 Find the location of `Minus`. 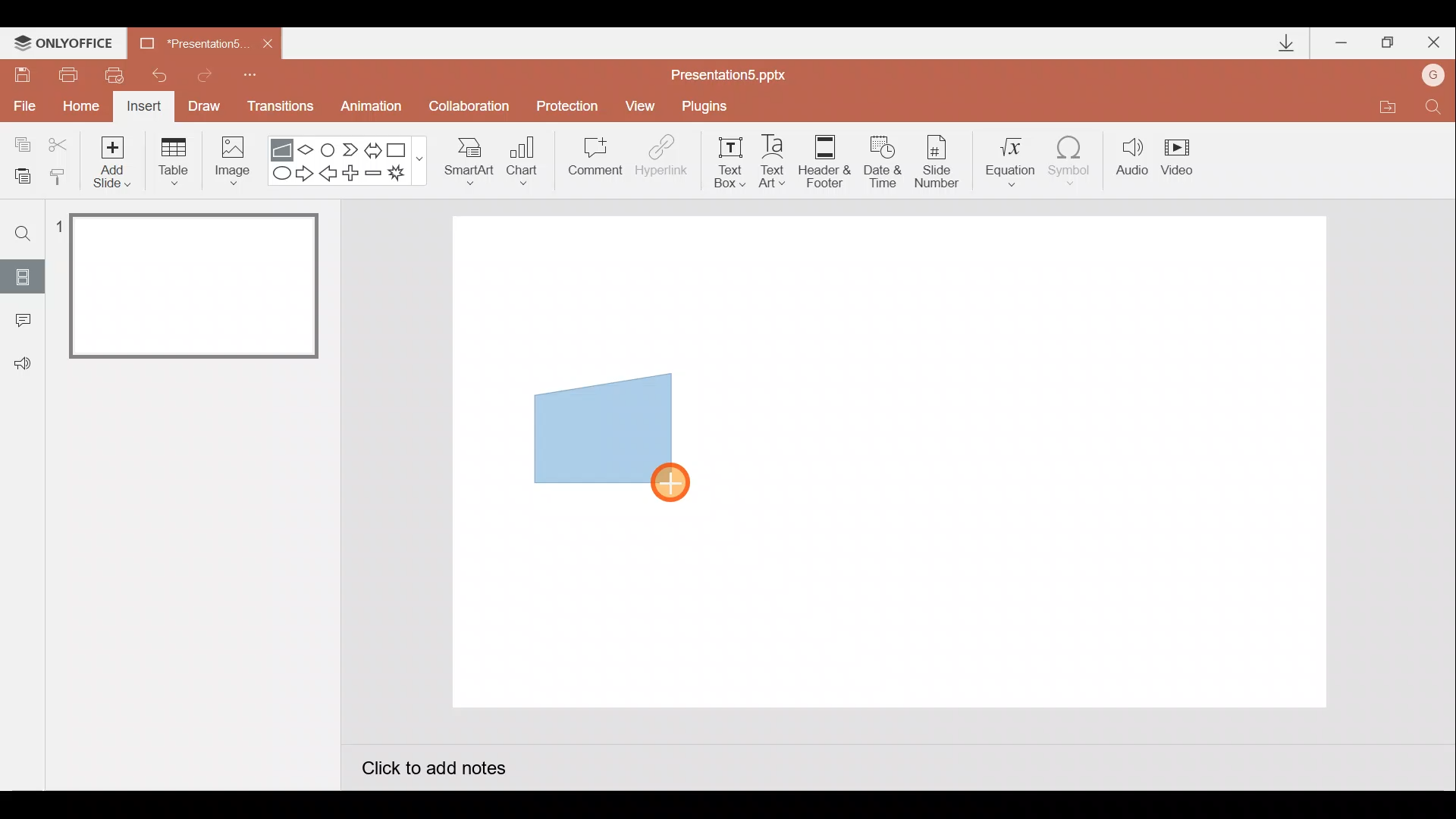

Minus is located at coordinates (375, 176).